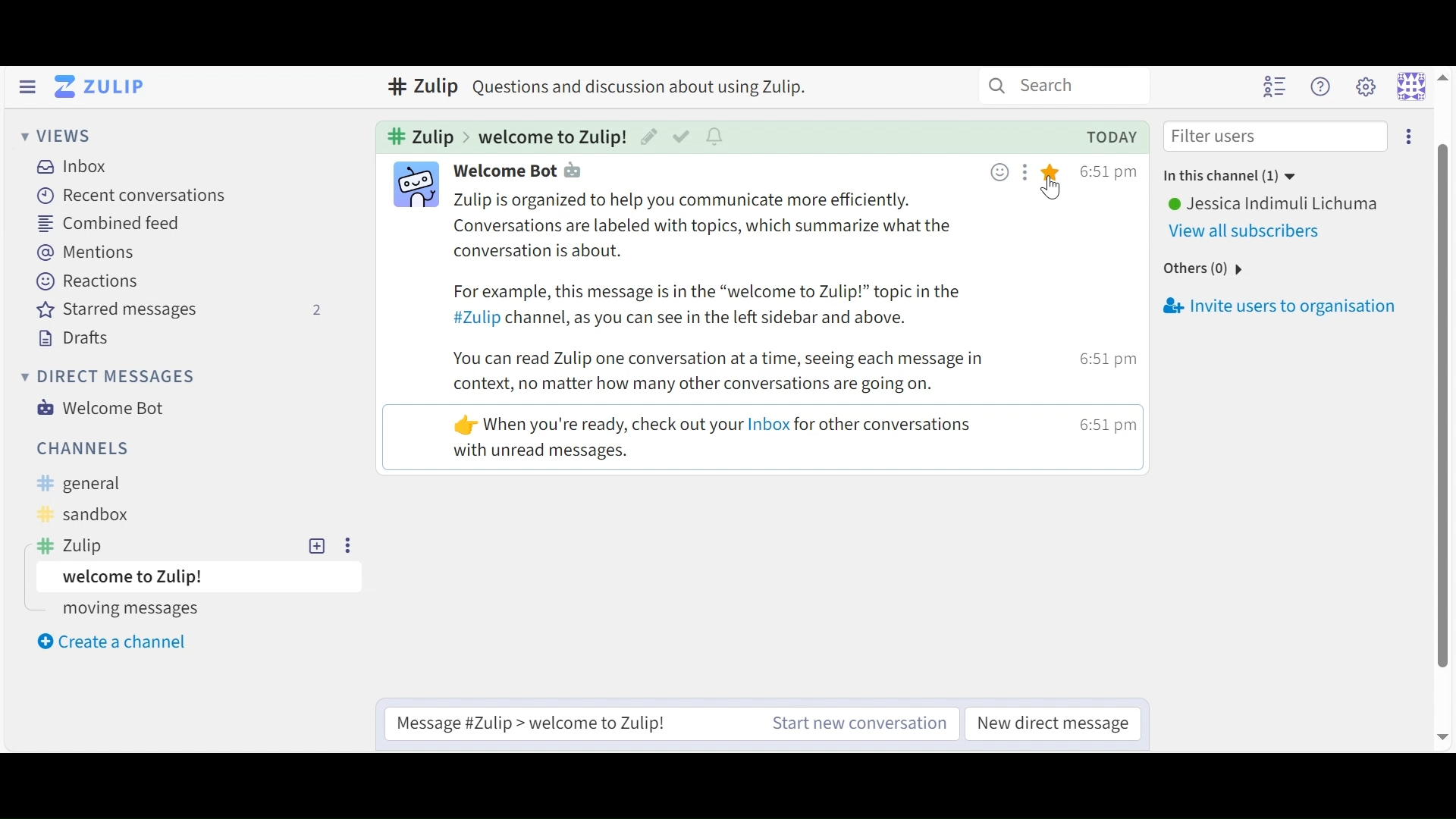  Describe the element at coordinates (570, 722) in the screenshot. I see `Reply to selected Message` at that location.